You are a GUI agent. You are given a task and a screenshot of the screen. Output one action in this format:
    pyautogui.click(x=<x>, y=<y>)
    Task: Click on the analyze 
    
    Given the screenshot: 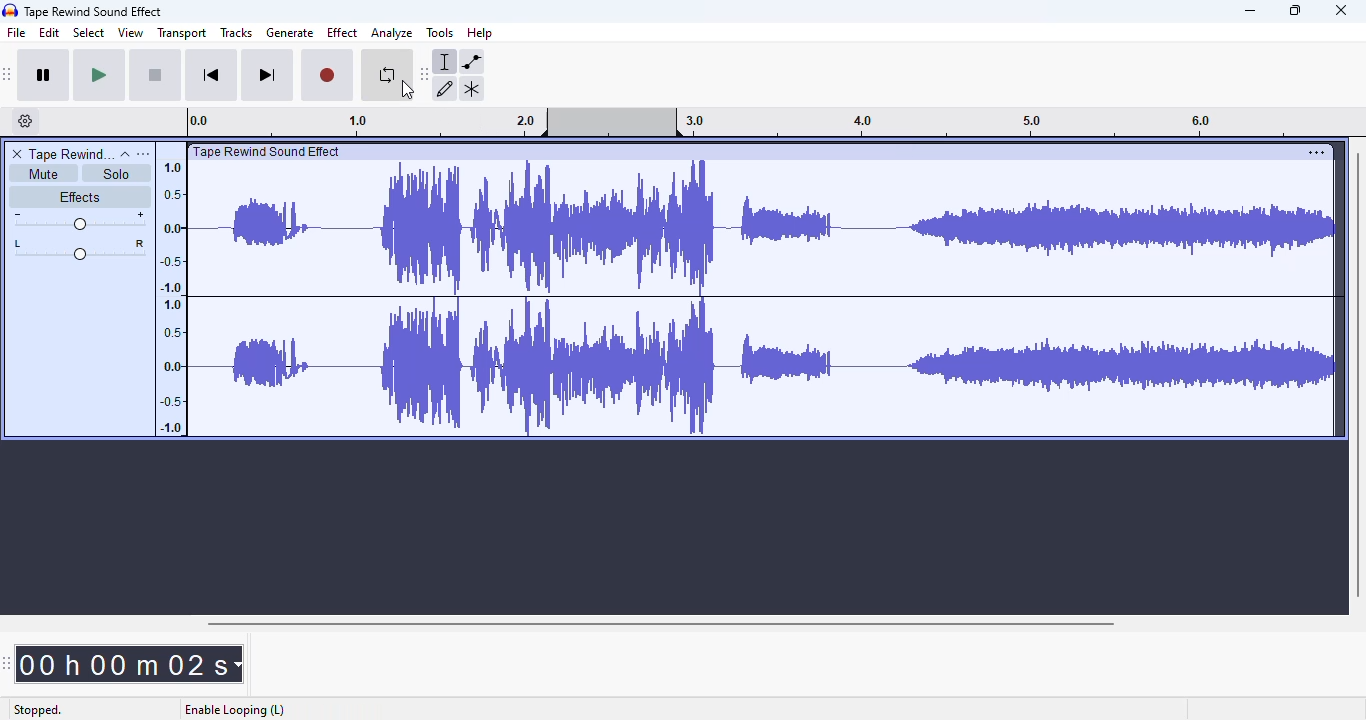 What is the action you would take?
    pyautogui.click(x=392, y=33)
    